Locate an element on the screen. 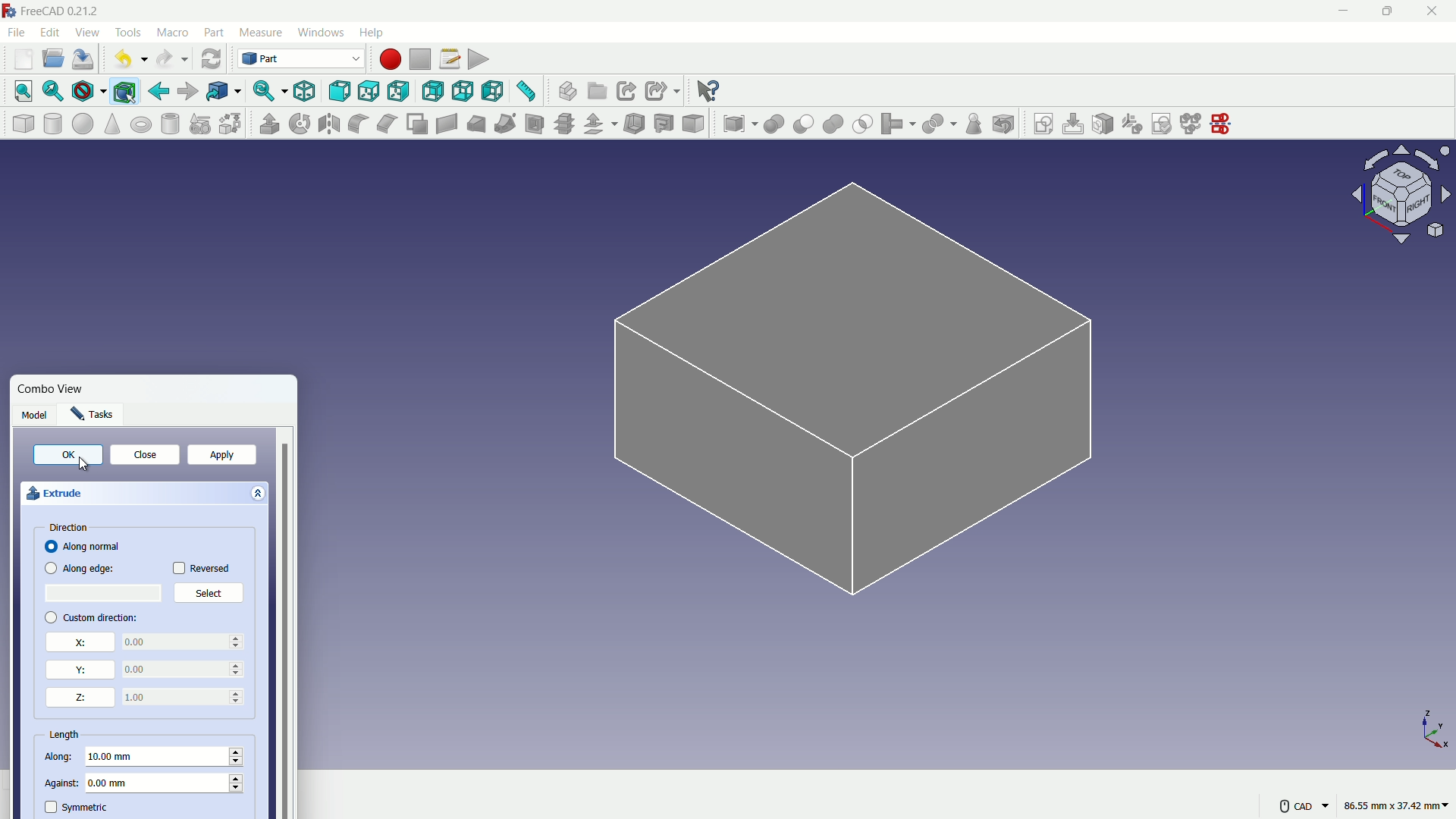  Cursor is located at coordinates (83, 463).